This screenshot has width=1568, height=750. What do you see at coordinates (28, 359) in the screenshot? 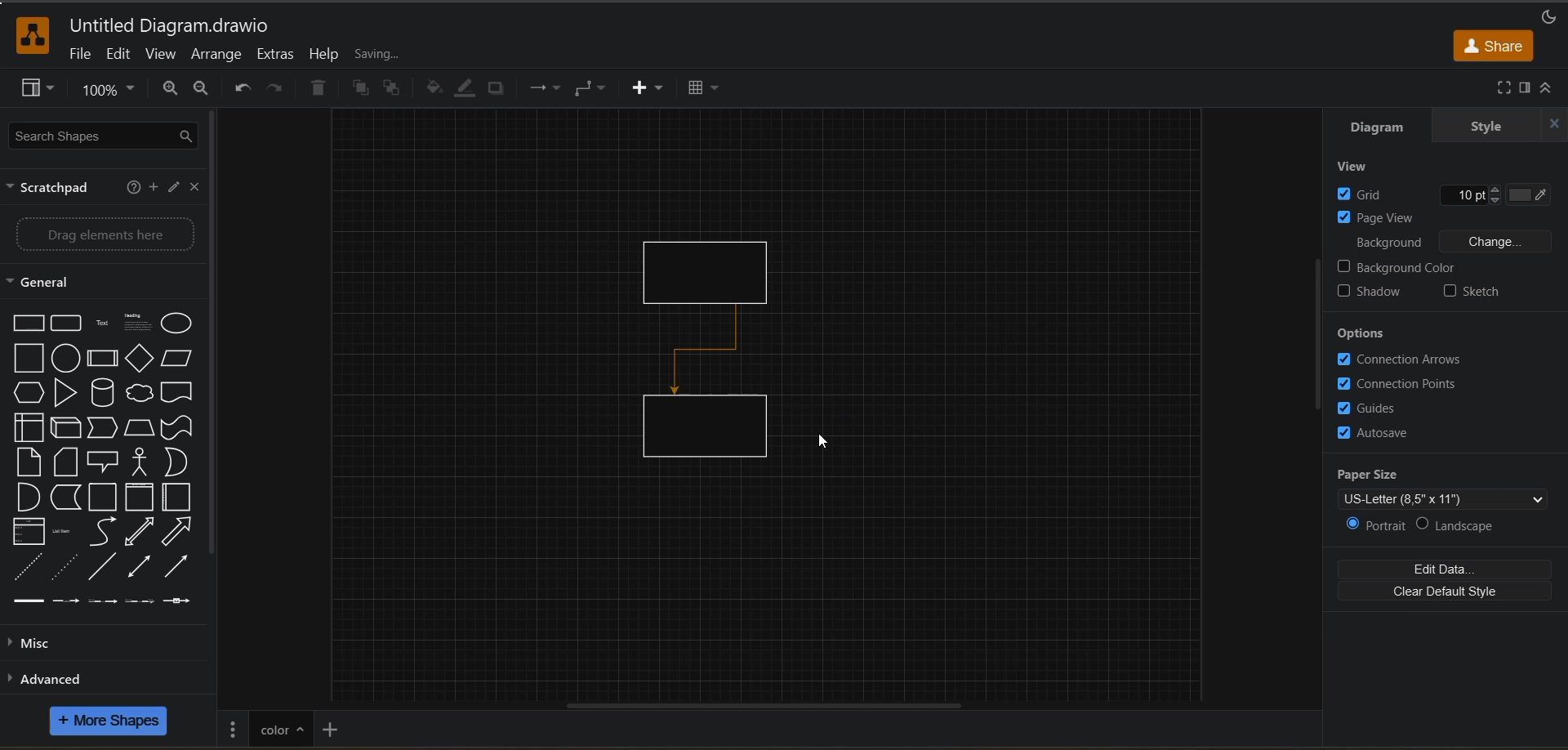
I see `Square` at bounding box center [28, 359].